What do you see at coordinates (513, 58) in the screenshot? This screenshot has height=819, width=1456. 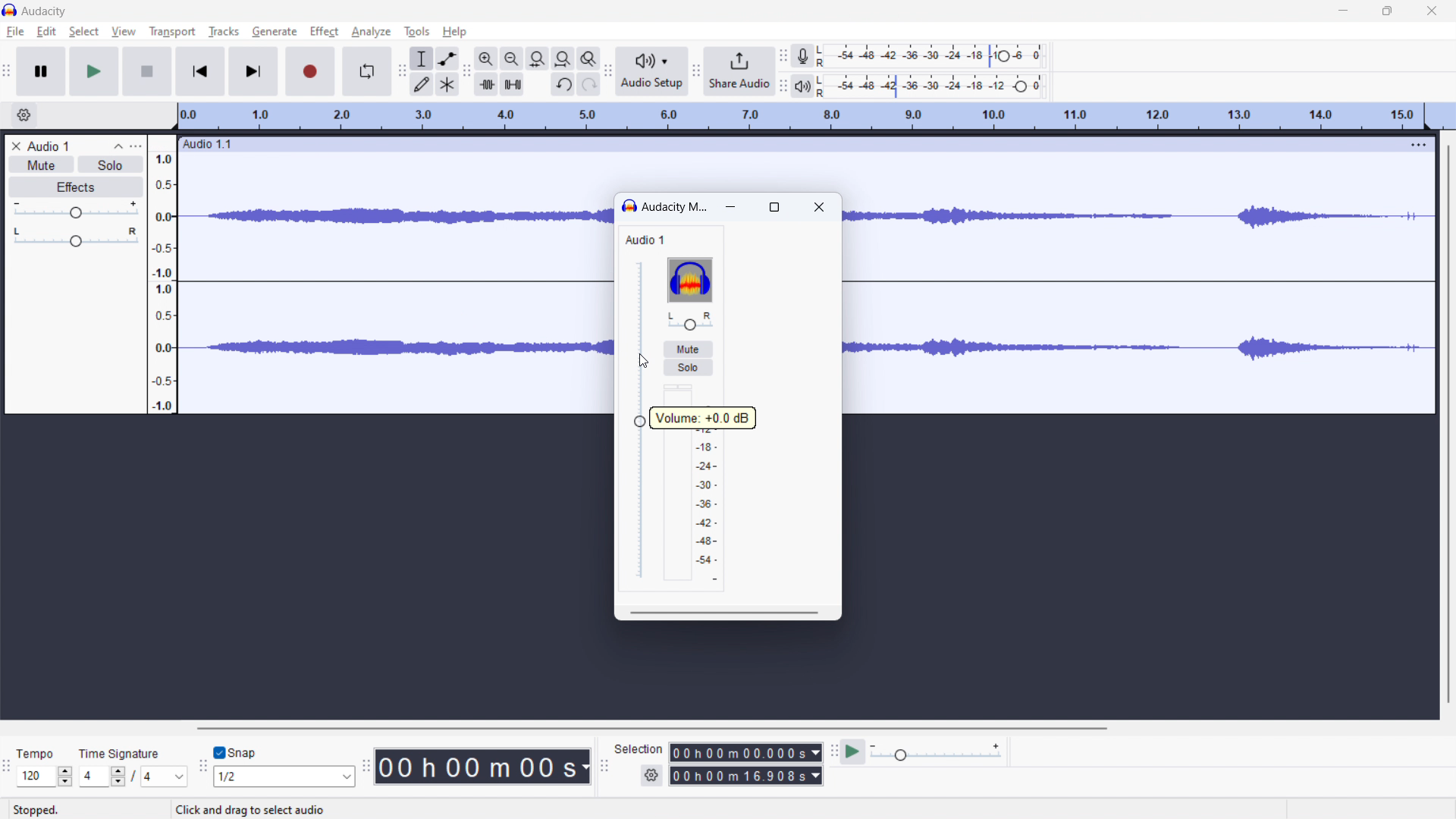 I see `zoom out` at bounding box center [513, 58].